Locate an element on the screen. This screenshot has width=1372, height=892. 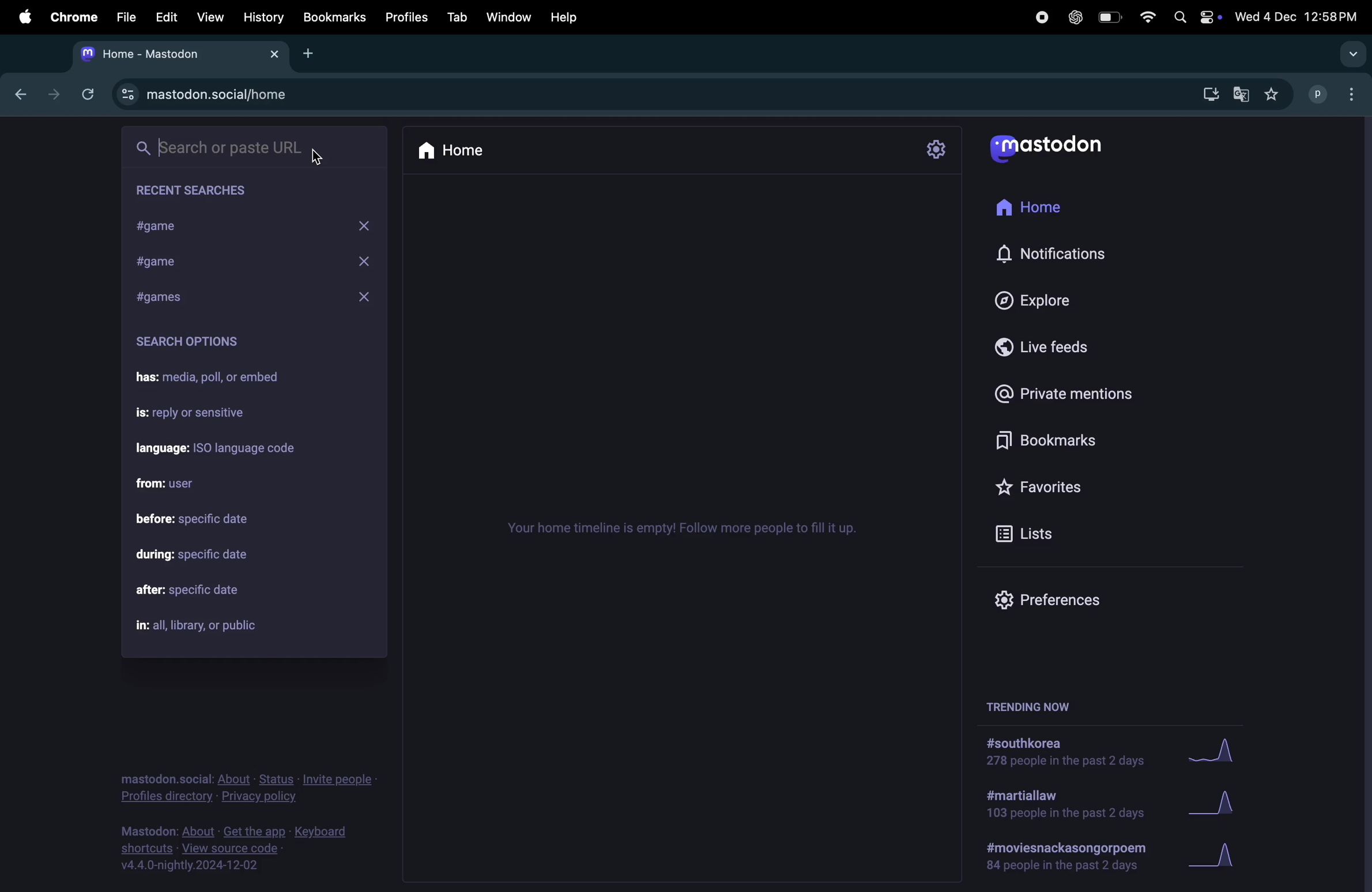
Recent searches is located at coordinates (211, 191).